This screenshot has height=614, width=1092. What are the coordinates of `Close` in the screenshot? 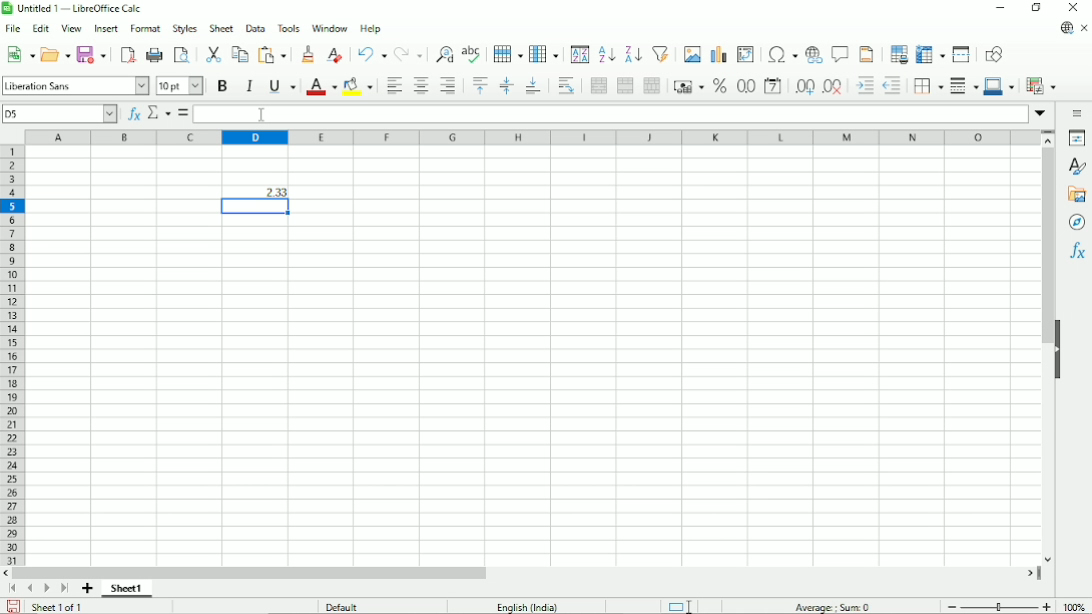 It's located at (1074, 7).